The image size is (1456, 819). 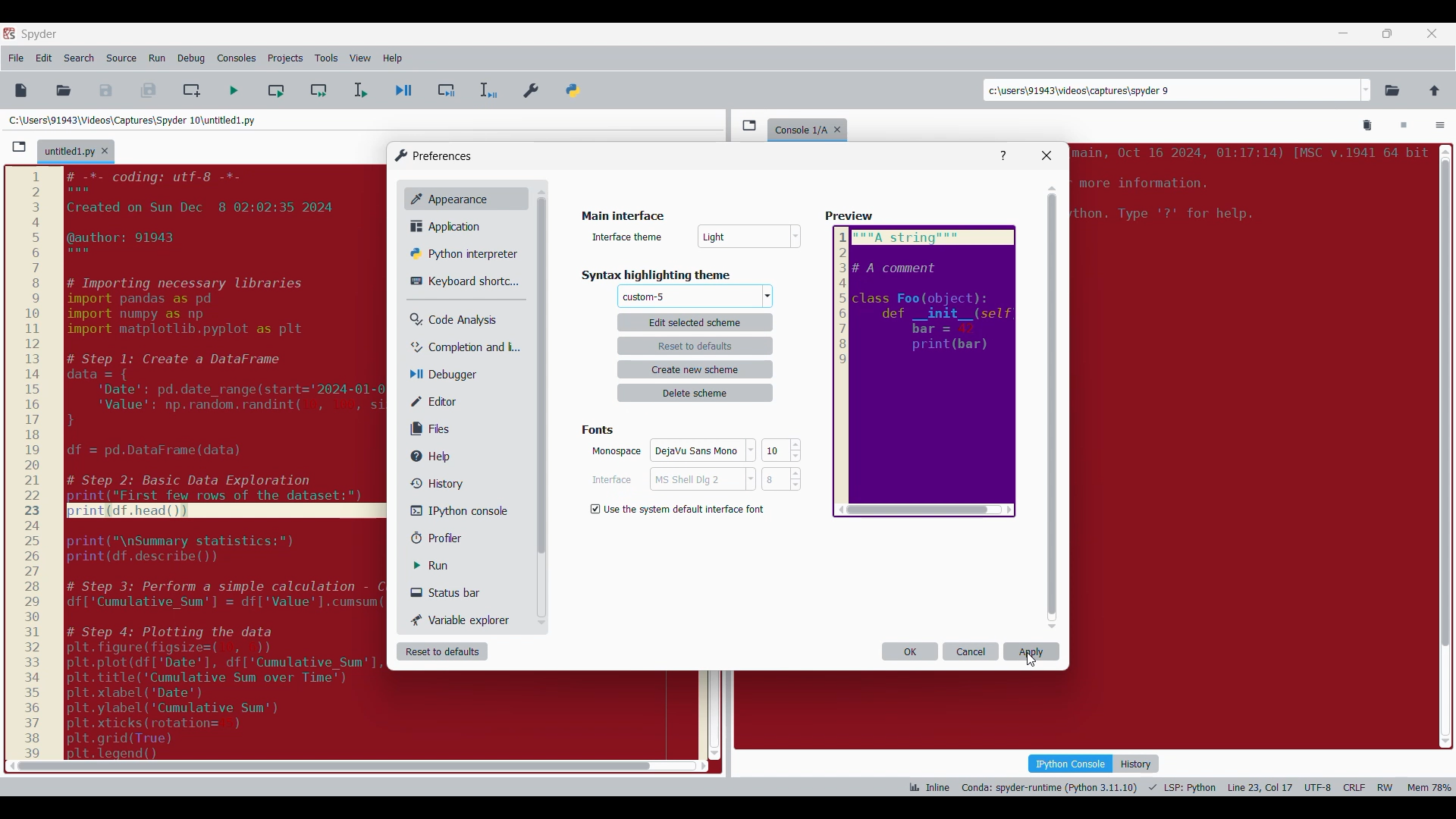 What do you see at coordinates (234, 90) in the screenshot?
I see `Run file` at bounding box center [234, 90].